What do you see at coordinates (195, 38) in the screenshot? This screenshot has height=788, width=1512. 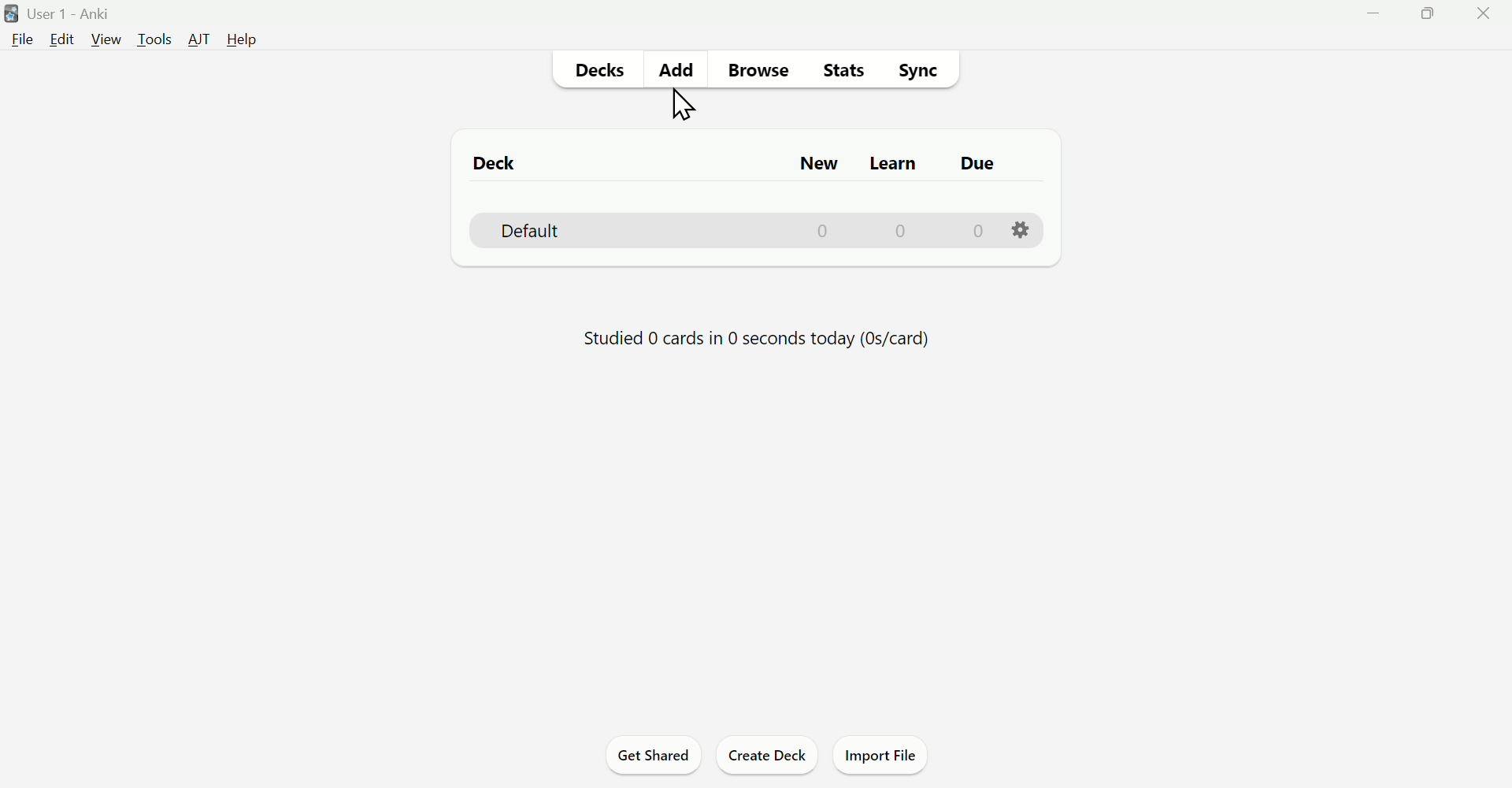 I see `AJT` at bounding box center [195, 38].